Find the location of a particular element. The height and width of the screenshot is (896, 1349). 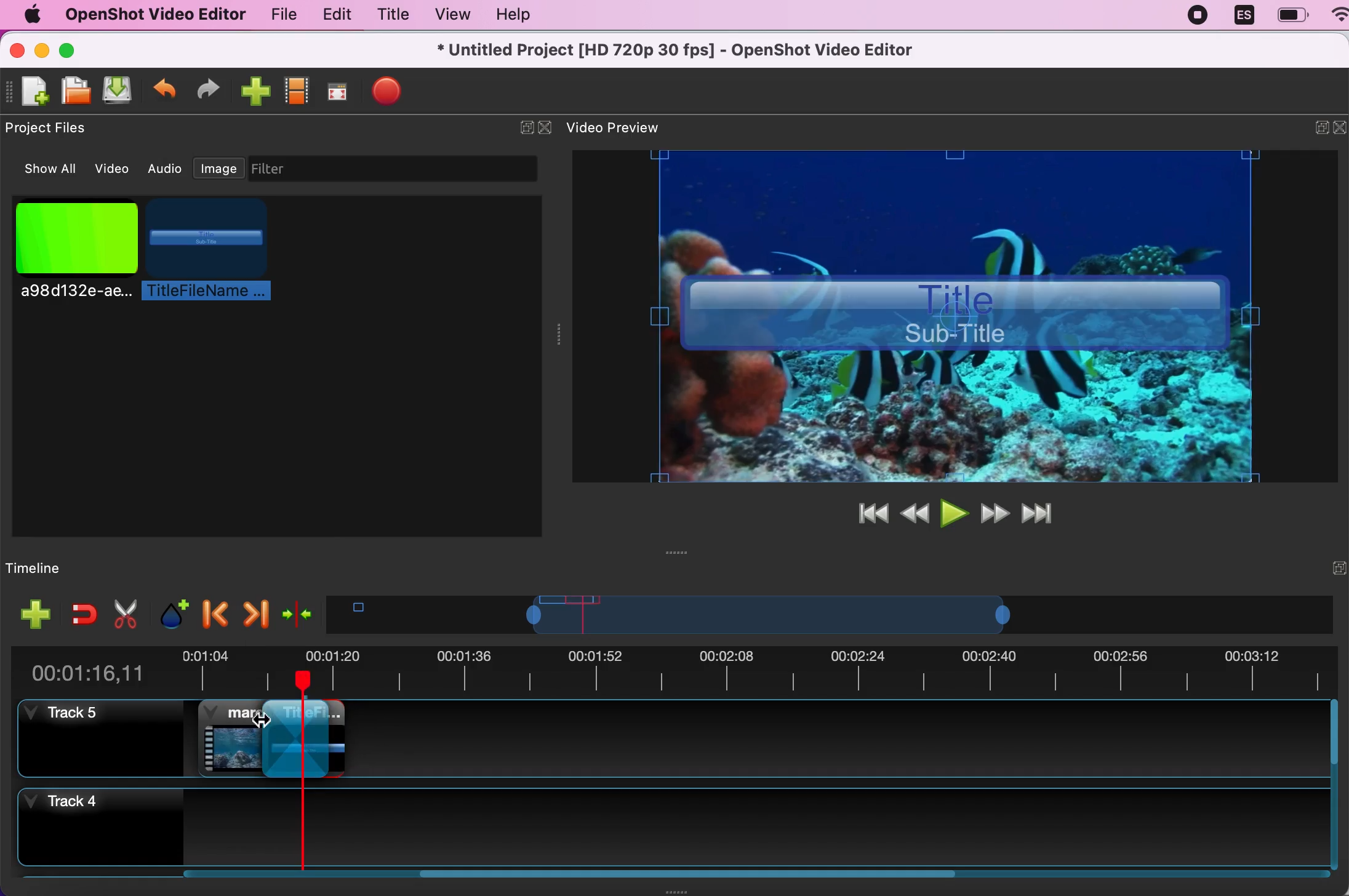

maximize is located at coordinates (82, 49).